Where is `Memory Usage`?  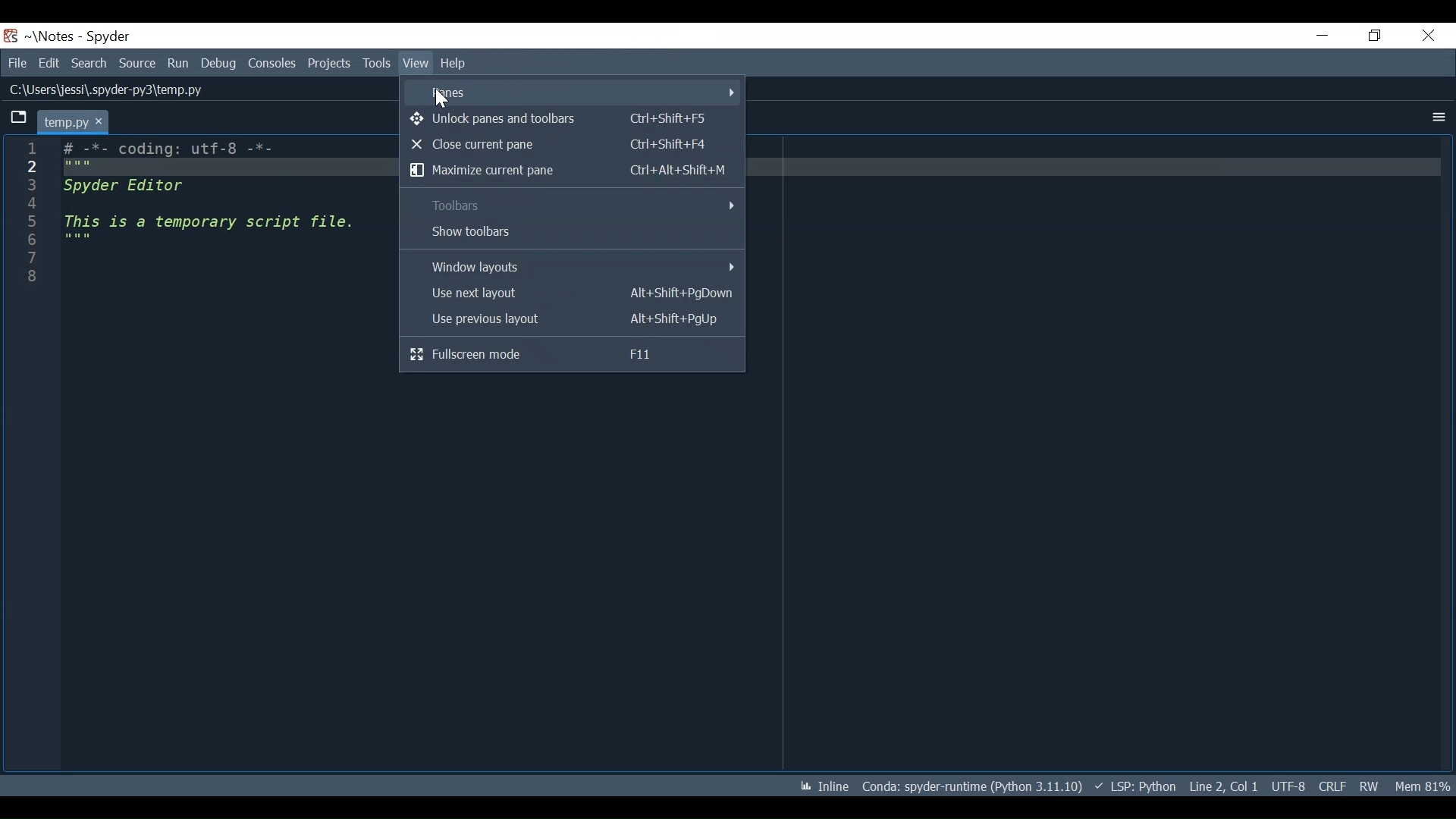 Memory Usage is located at coordinates (1424, 786).